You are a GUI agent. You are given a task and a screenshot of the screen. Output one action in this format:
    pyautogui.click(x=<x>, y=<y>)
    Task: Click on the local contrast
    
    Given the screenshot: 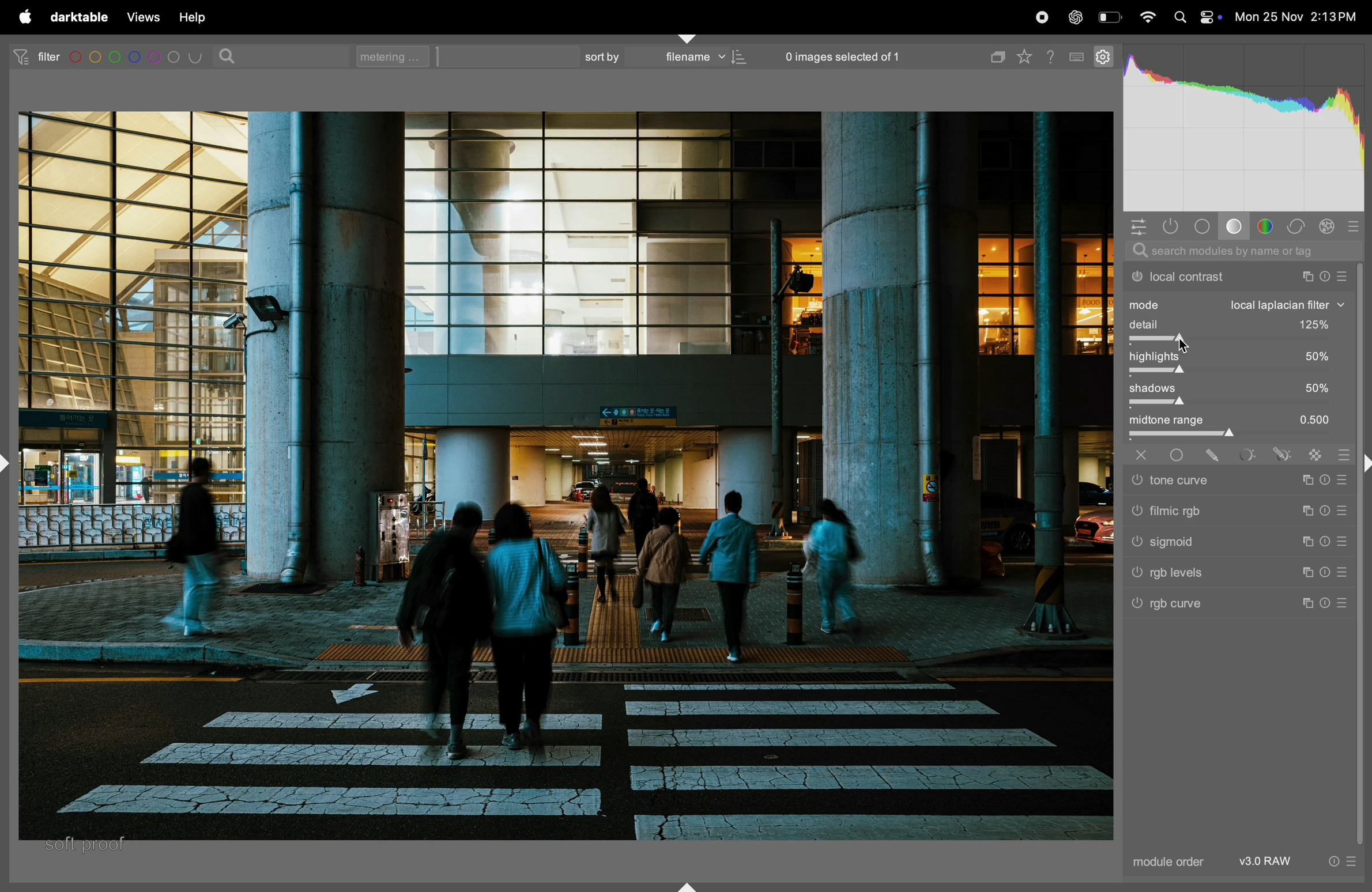 What is the action you would take?
    pyautogui.click(x=1235, y=276)
    